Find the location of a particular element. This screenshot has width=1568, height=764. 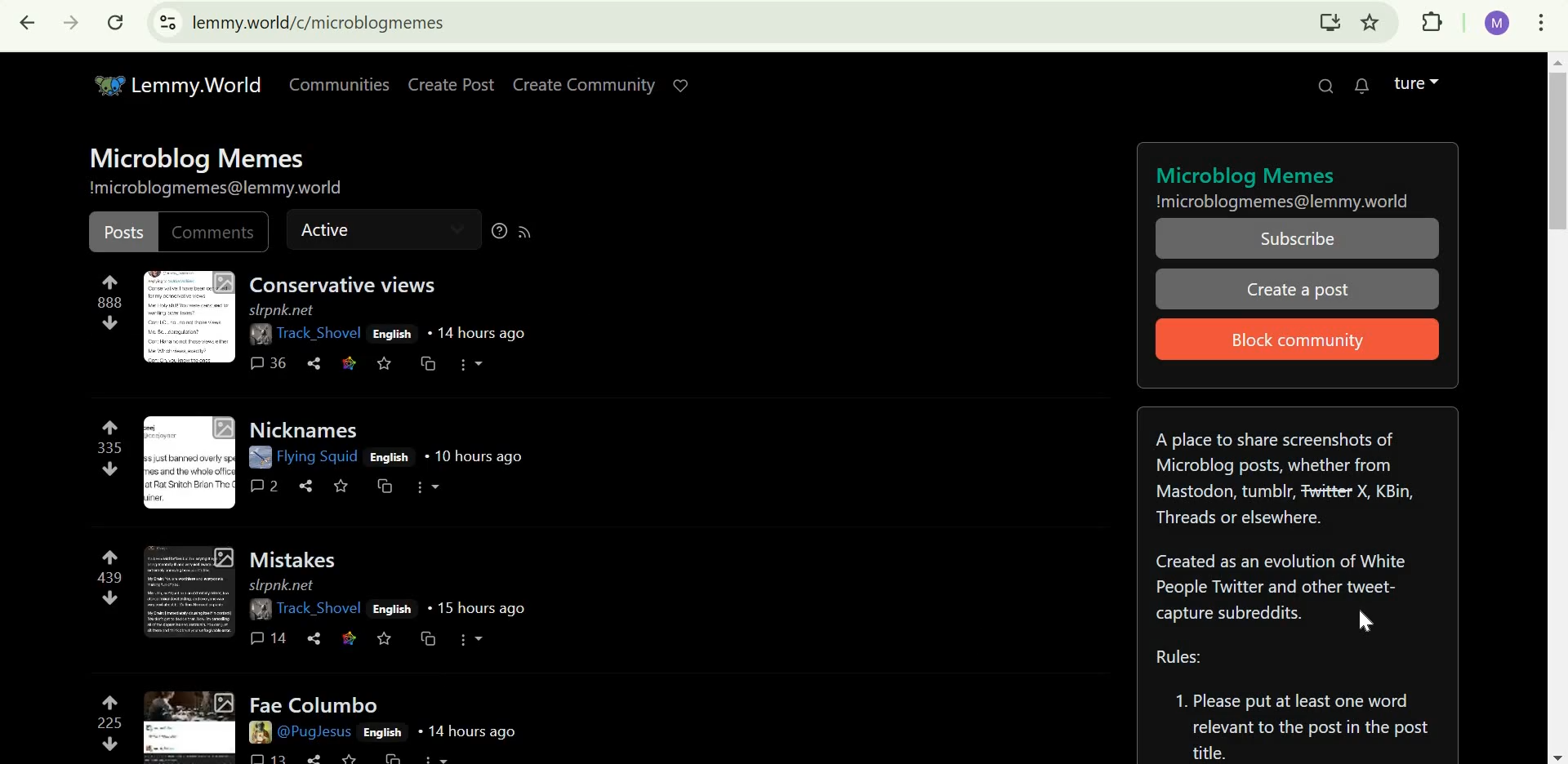

Block community is located at coordinates (1301, 338).